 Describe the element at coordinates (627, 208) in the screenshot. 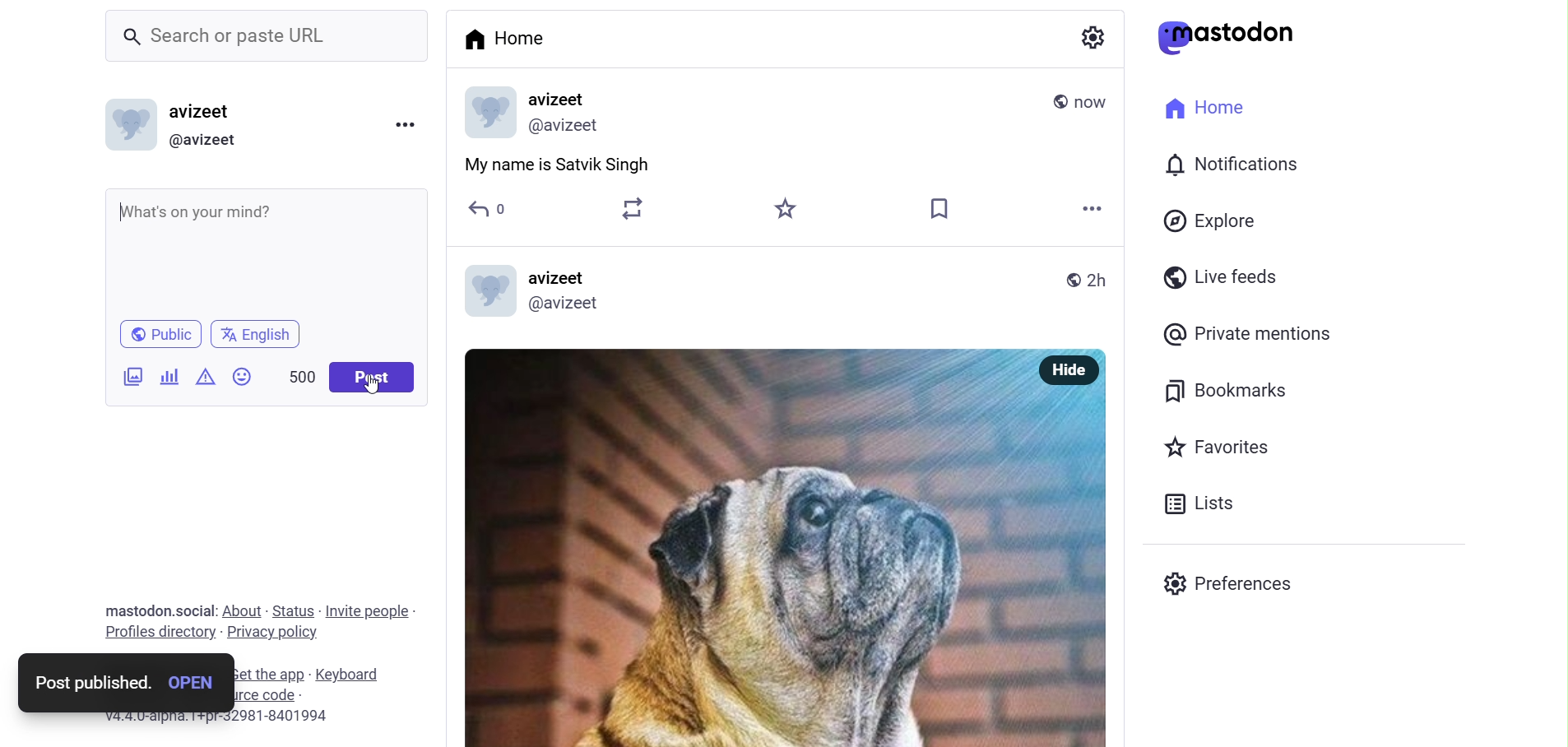

I see `boost` at that location.